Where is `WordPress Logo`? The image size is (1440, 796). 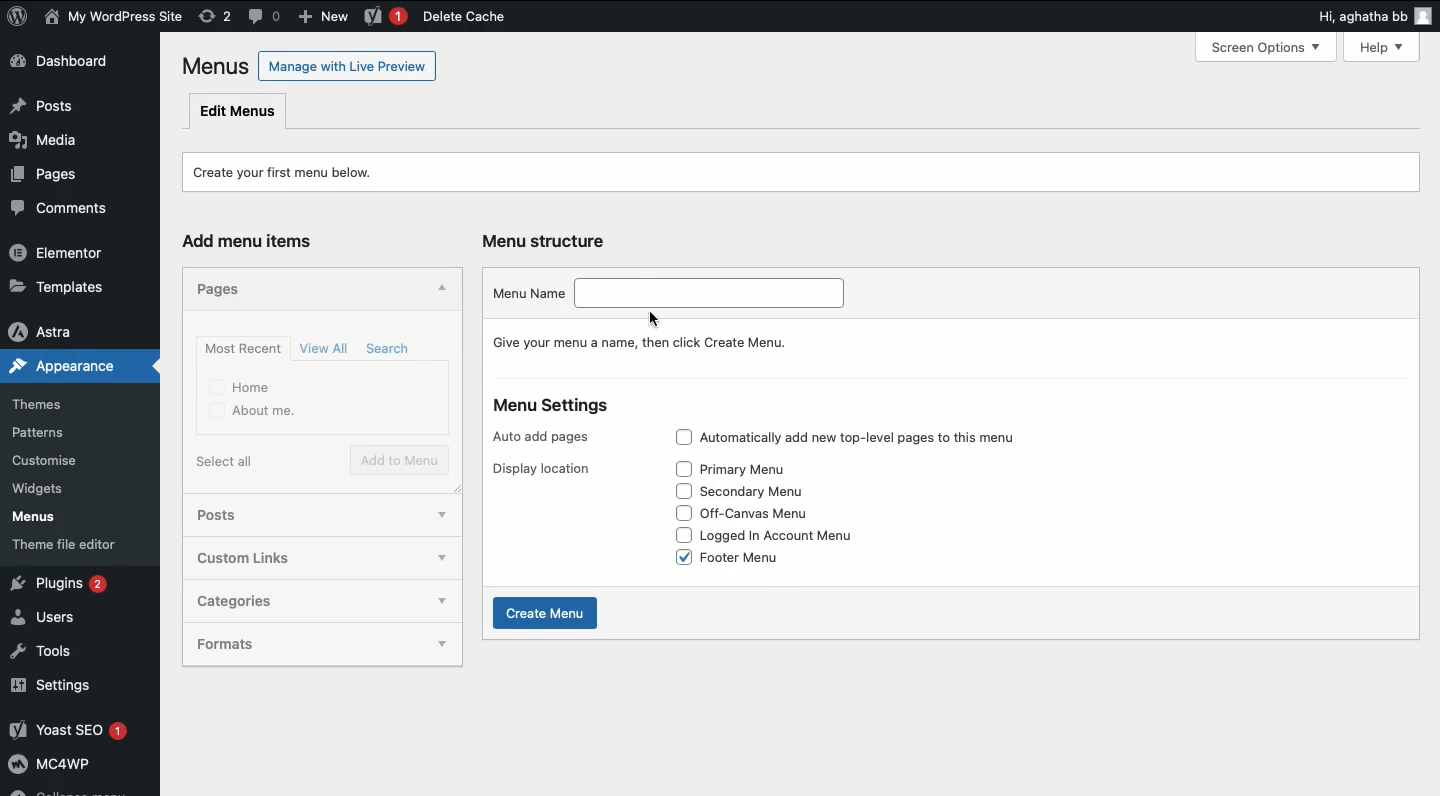
WordPress Logo is located at coordinates (18, 16).